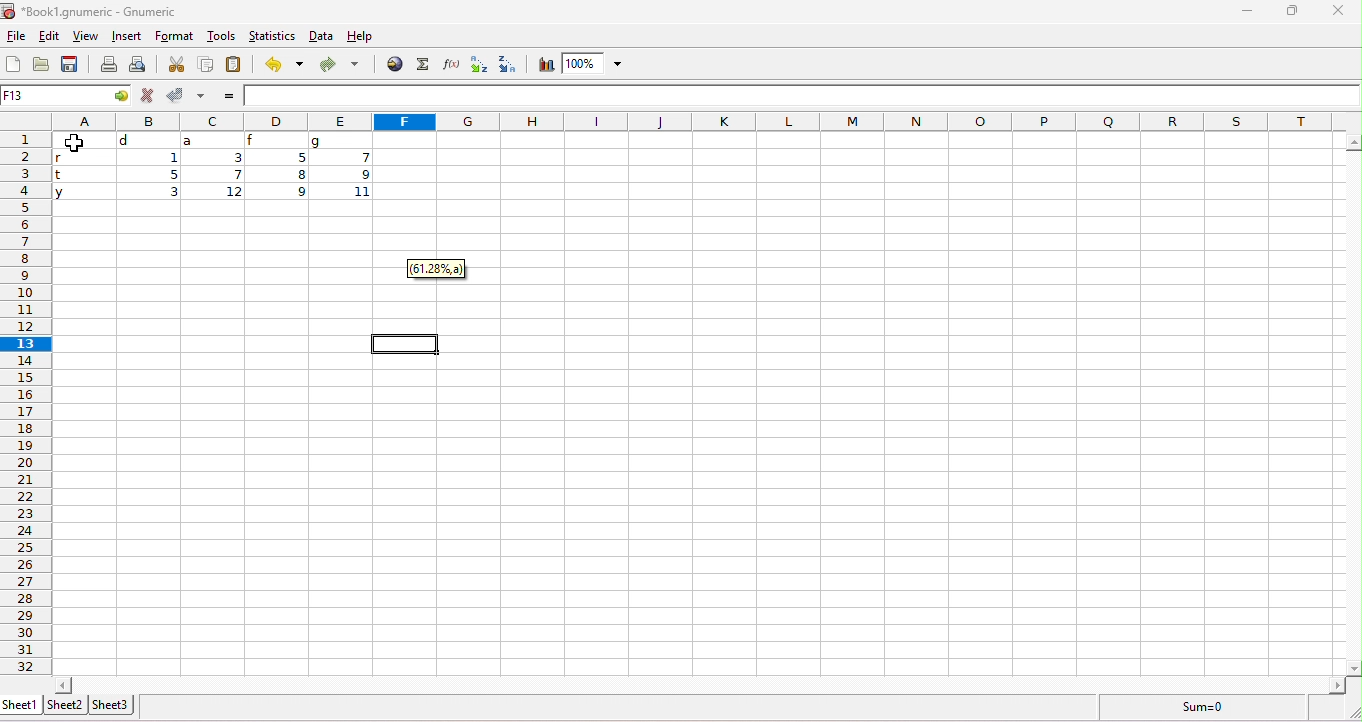  What do you see at coordinates (803, 95) in the screenshot?
I see `formula bar` at bounding box center [803, 95].